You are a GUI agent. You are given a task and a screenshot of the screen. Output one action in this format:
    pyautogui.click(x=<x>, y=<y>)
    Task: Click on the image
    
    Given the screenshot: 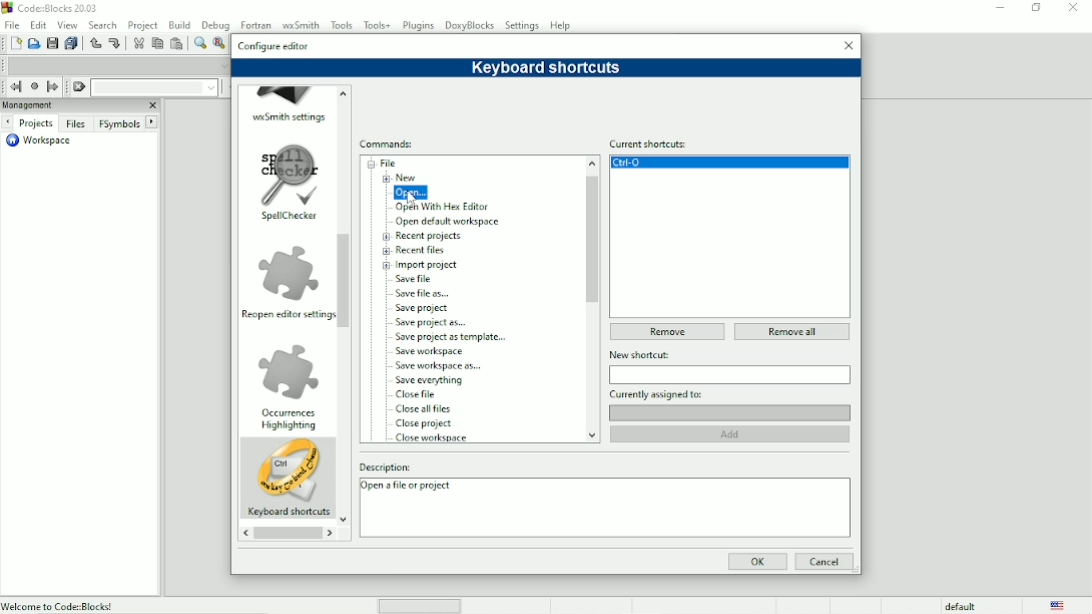 What is the action you would take?
    pyautogui.click(x=289, y=173)
    